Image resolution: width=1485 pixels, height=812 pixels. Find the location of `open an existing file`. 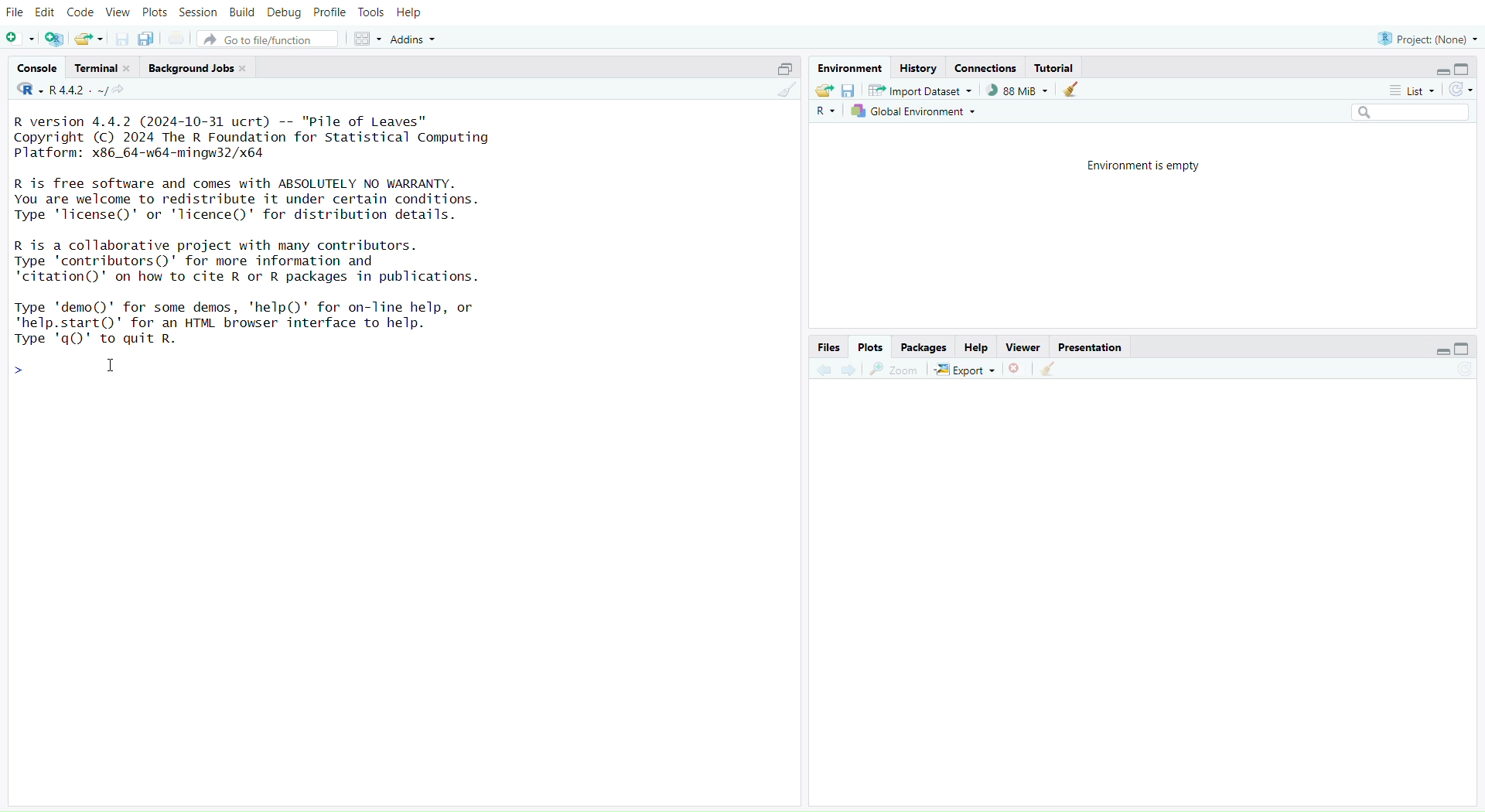

open an existing file is located at coordinates (91, 40).